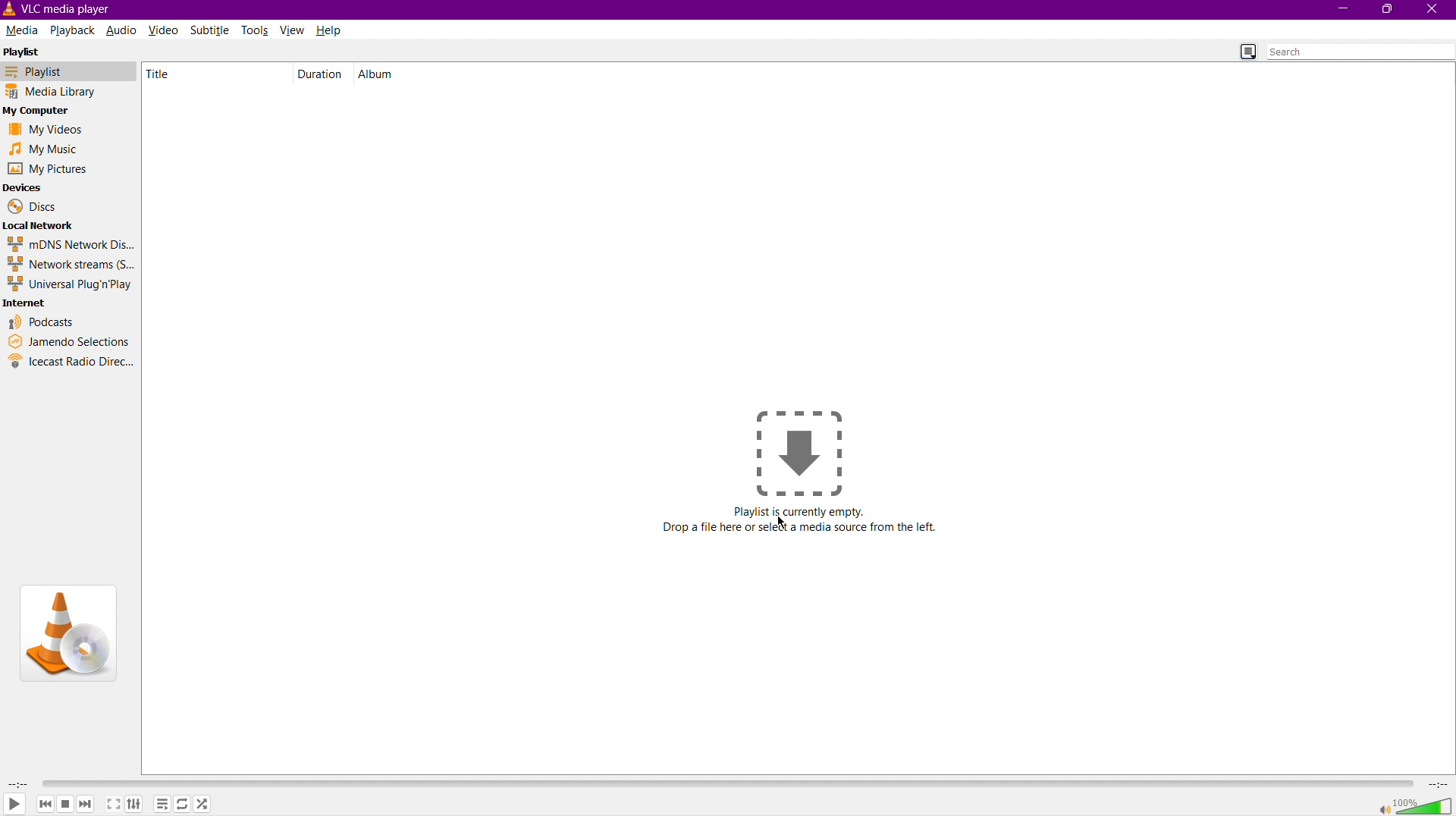  I want to click on Playlist, so click(53, 52).